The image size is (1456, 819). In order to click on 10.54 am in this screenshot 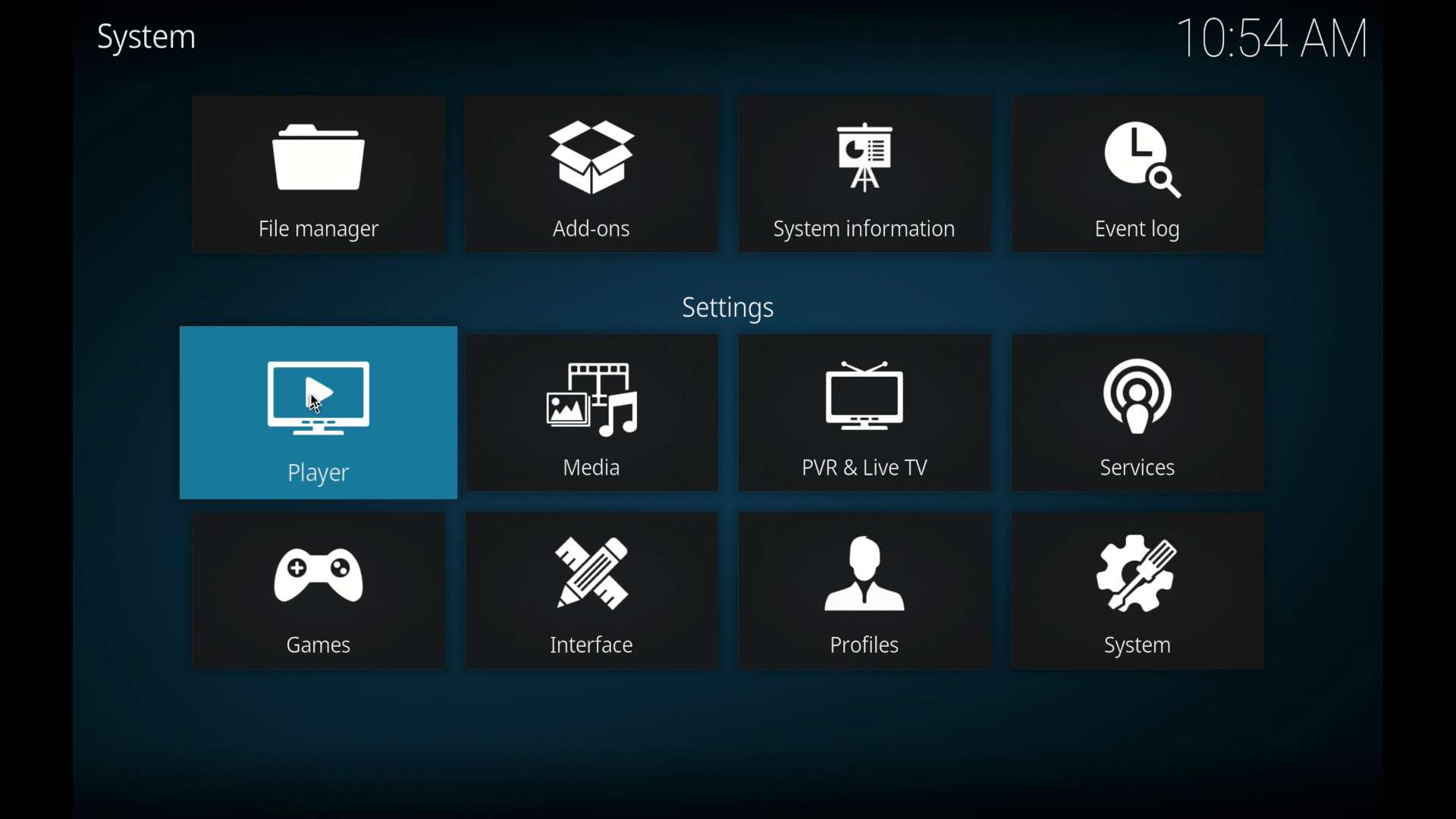, I will do `click(1273, 39)`.